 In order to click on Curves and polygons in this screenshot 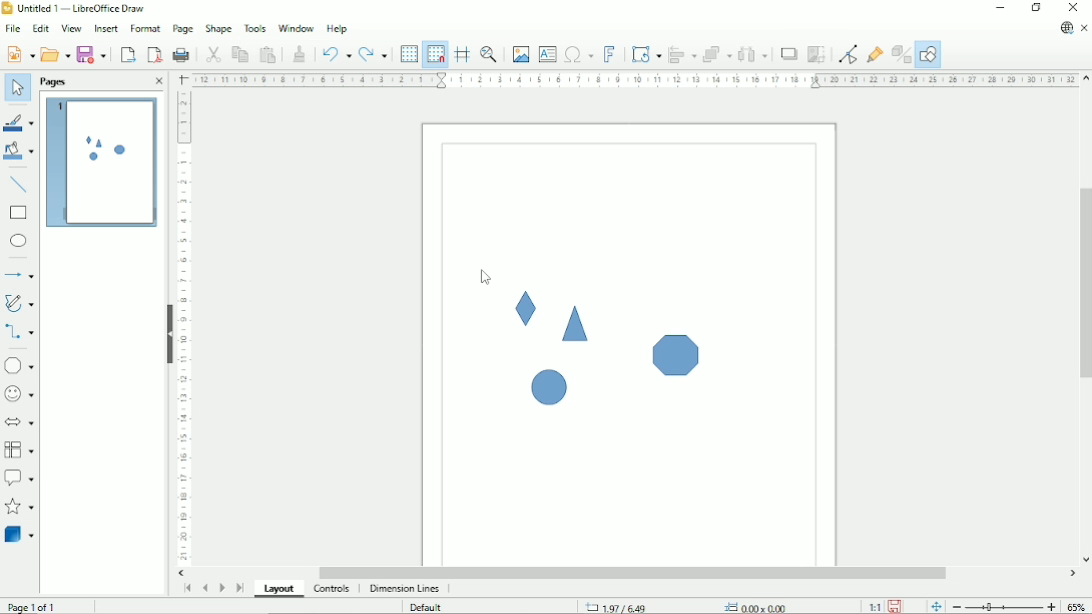, I will do `click(20, 303)`.